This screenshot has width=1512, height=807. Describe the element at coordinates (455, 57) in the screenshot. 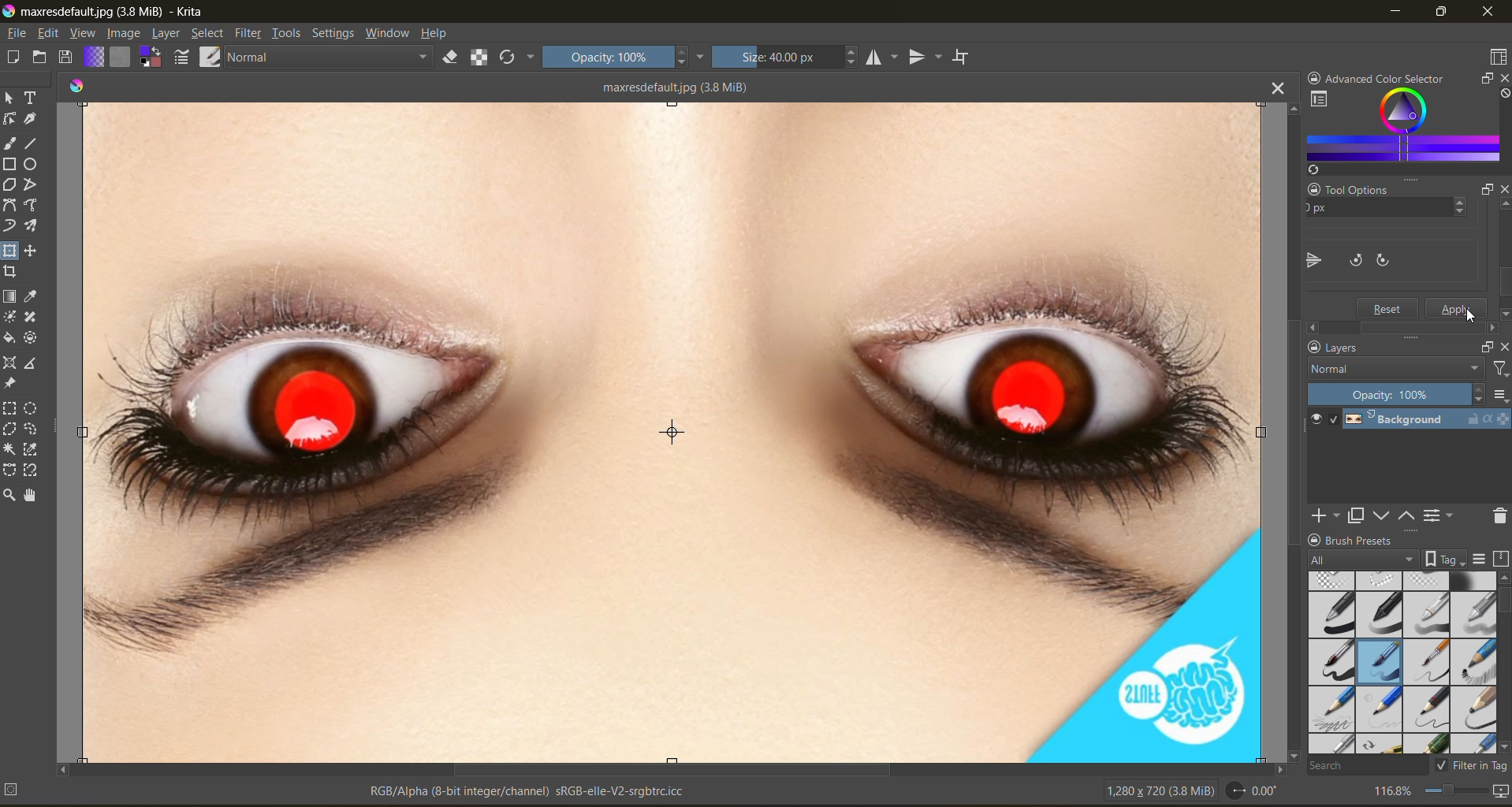

I see `set eraser mode` at that location.